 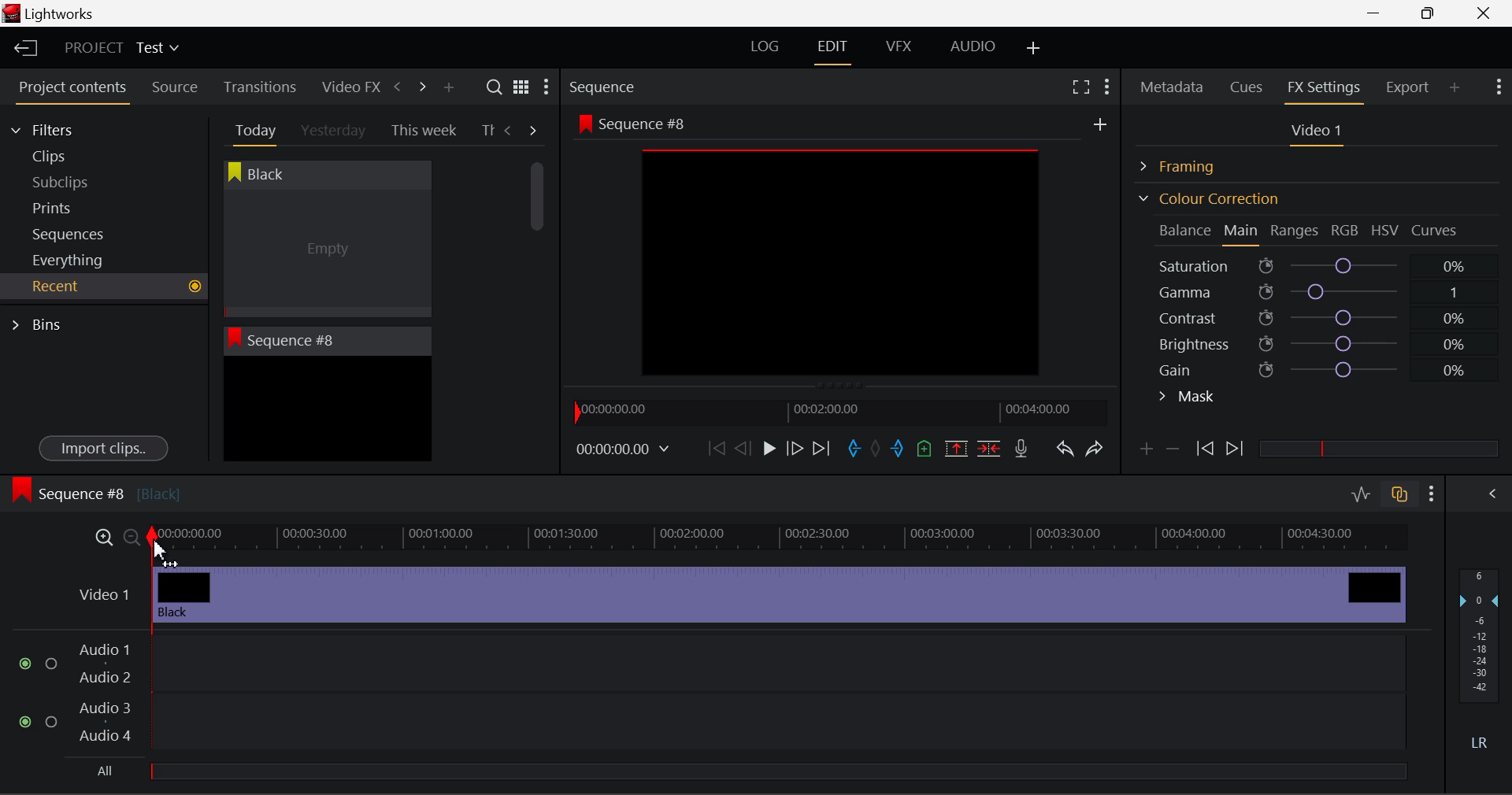 I want to click on Project Timeline, so click(x=780, y=538).